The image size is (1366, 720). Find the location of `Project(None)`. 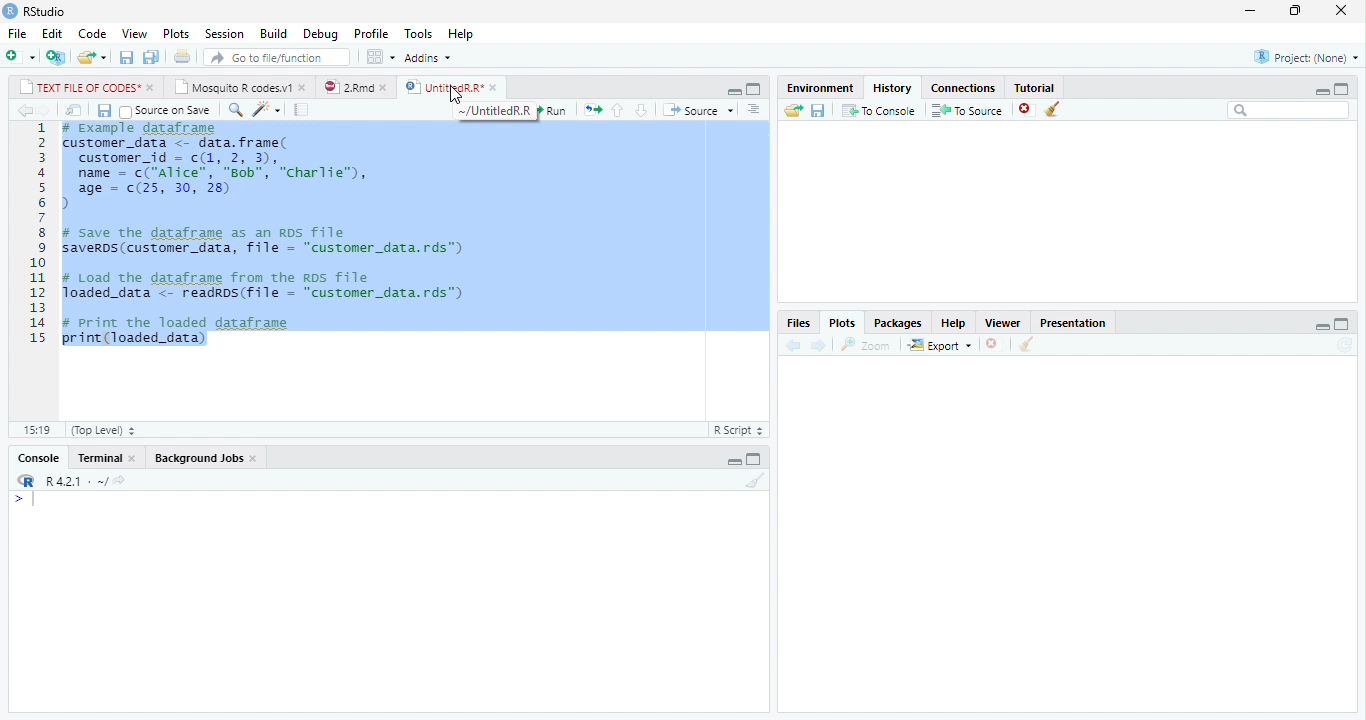

Project(None) is located at coordinates (1307, 57).